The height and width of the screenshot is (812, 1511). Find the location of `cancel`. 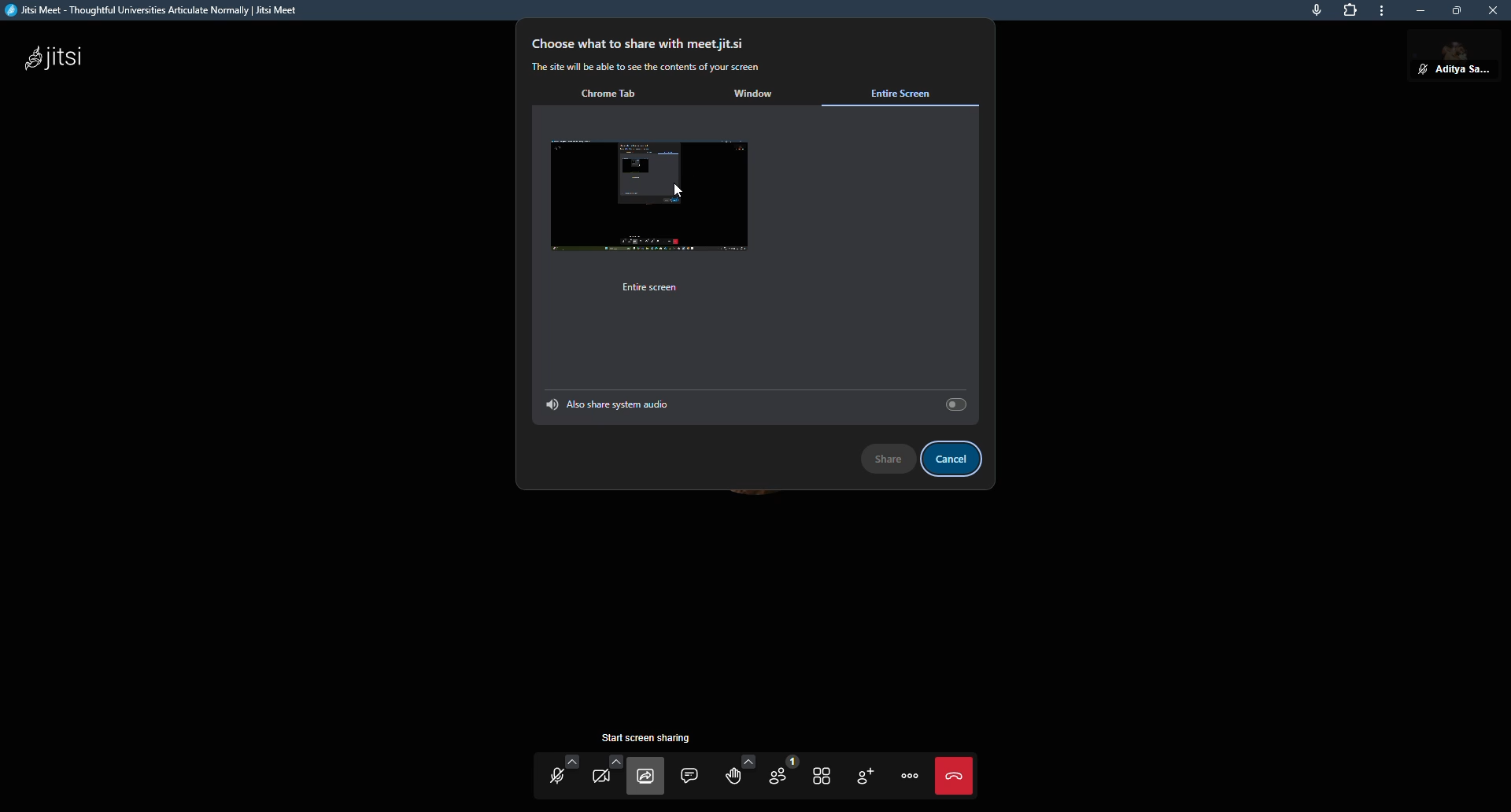

cancel is located at coordinates (957, 459).